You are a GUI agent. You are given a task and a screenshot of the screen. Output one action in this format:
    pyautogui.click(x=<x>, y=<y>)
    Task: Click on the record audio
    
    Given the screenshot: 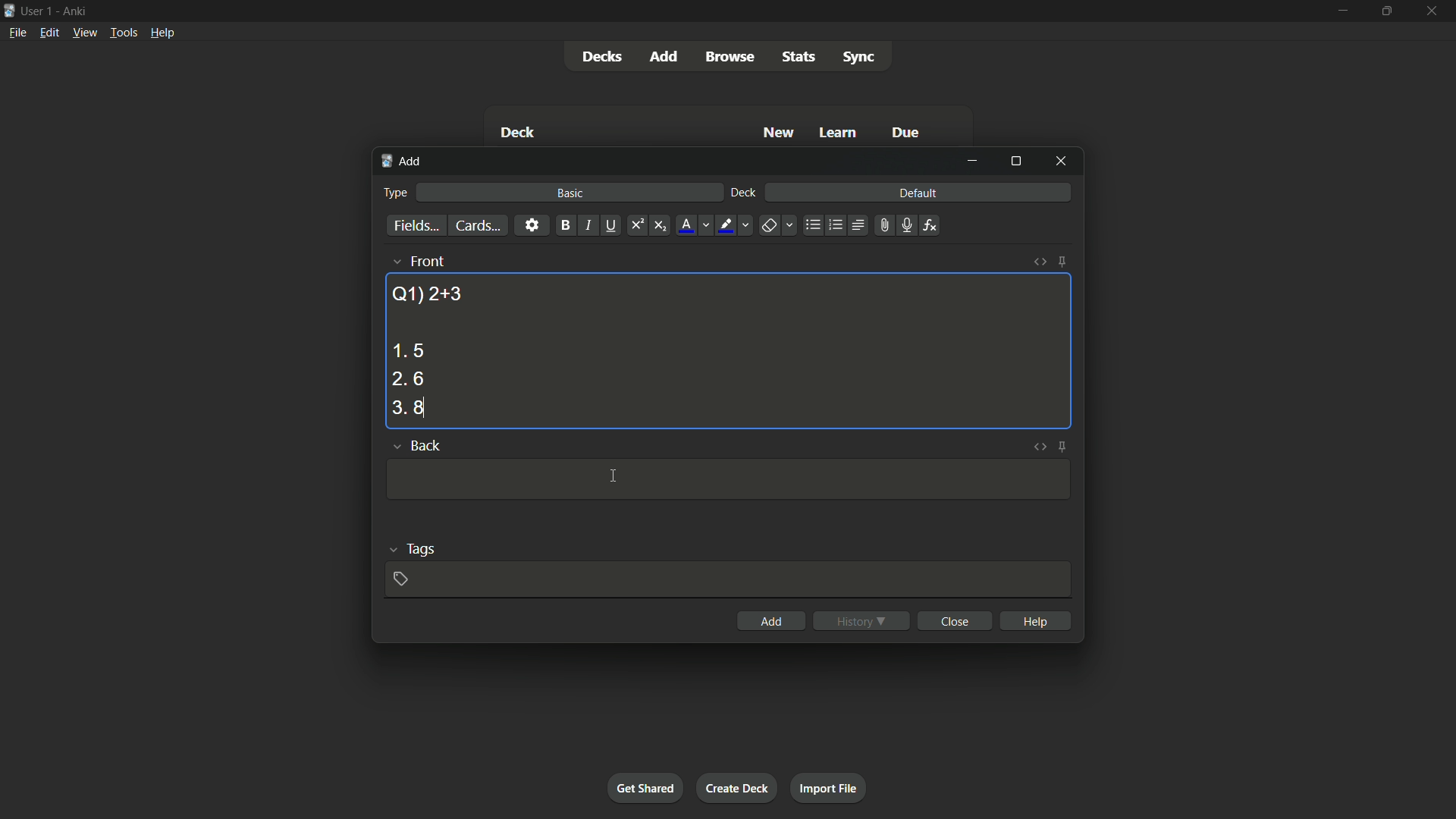 What is the action you would take?
    pyautogui.click(x=905, y=226)
    